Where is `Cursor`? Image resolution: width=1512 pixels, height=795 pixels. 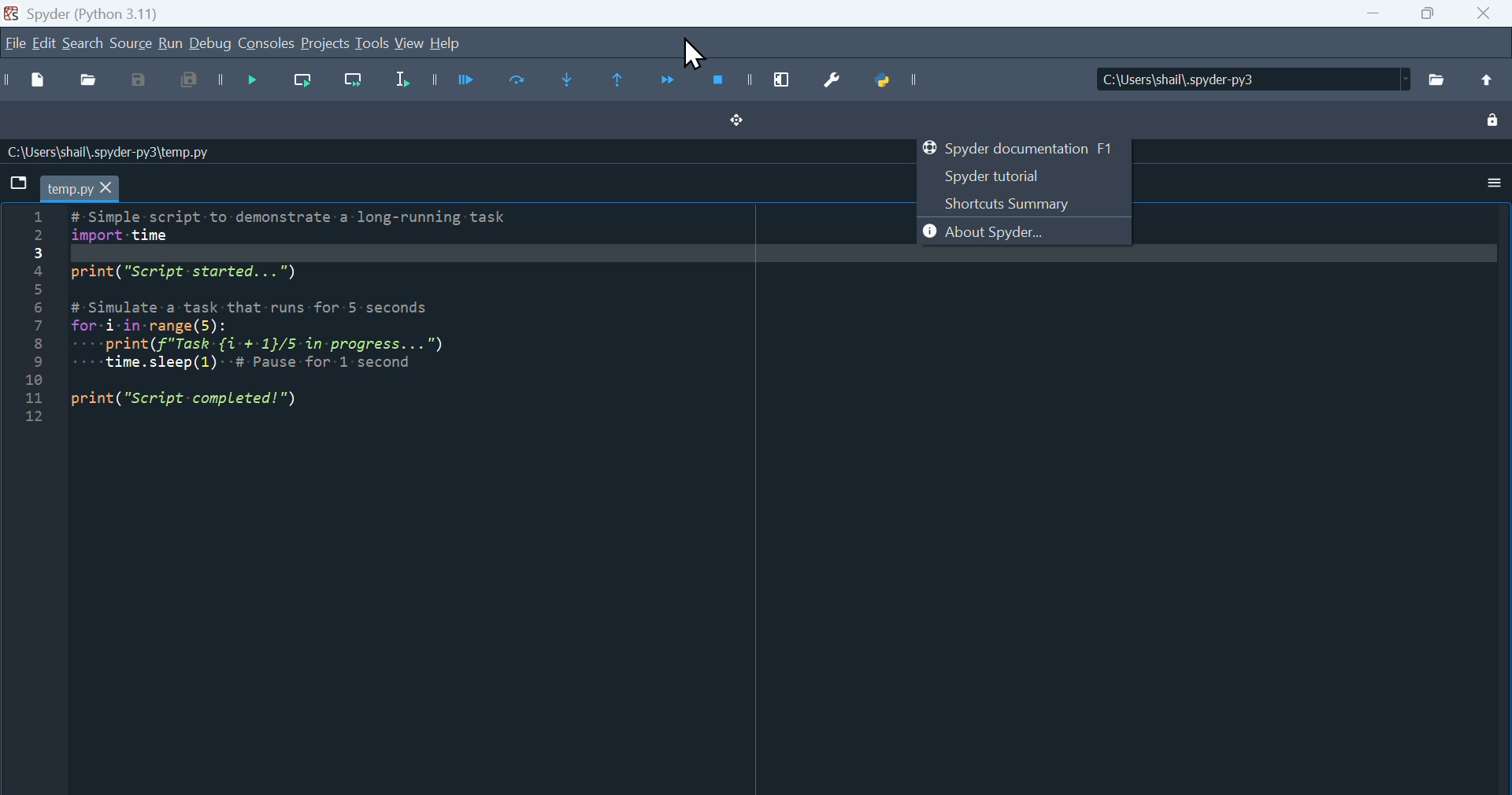 Cursor is located at coordinates (710, 211).